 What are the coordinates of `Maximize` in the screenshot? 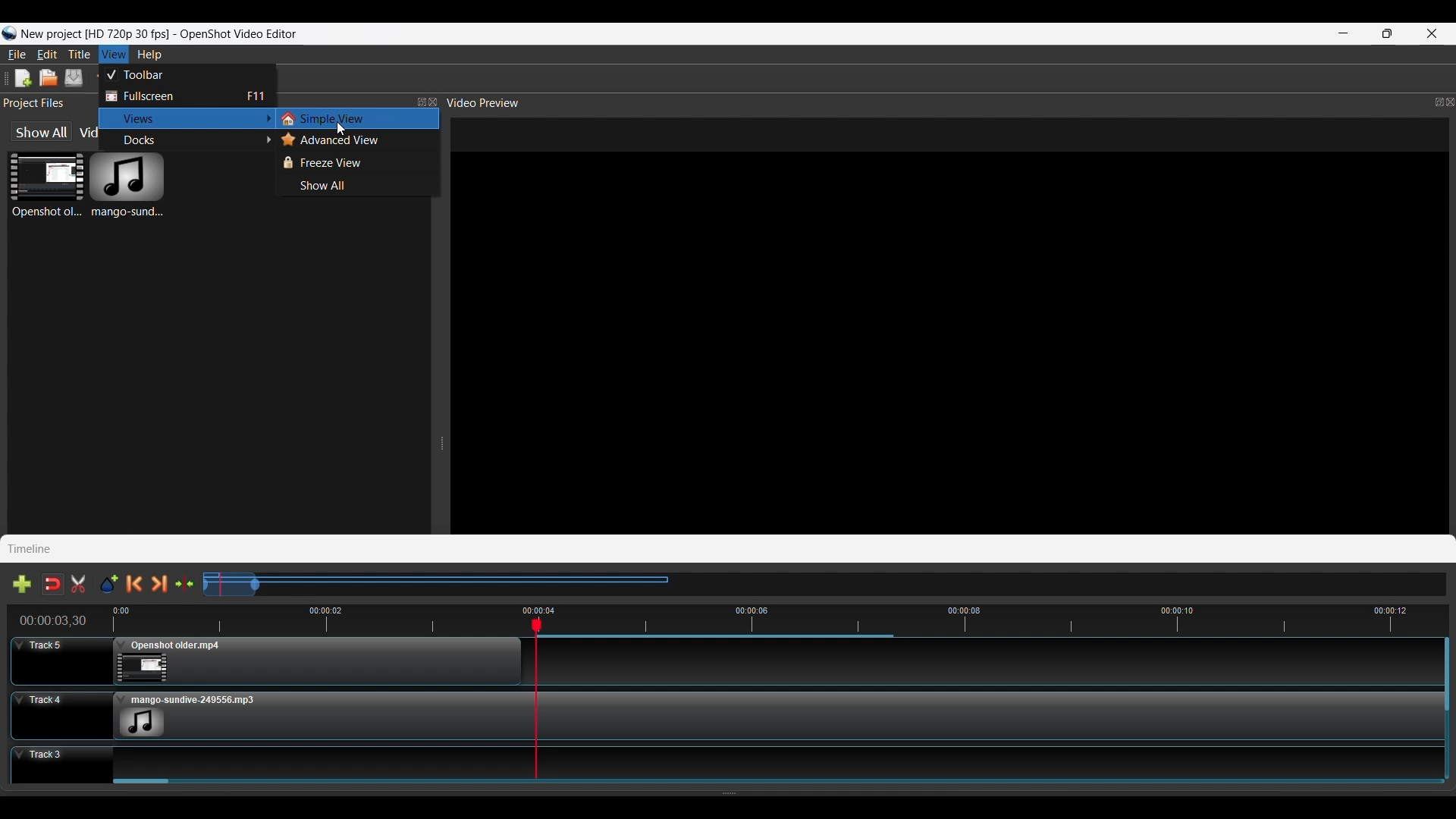 It's located at (1389, 33).